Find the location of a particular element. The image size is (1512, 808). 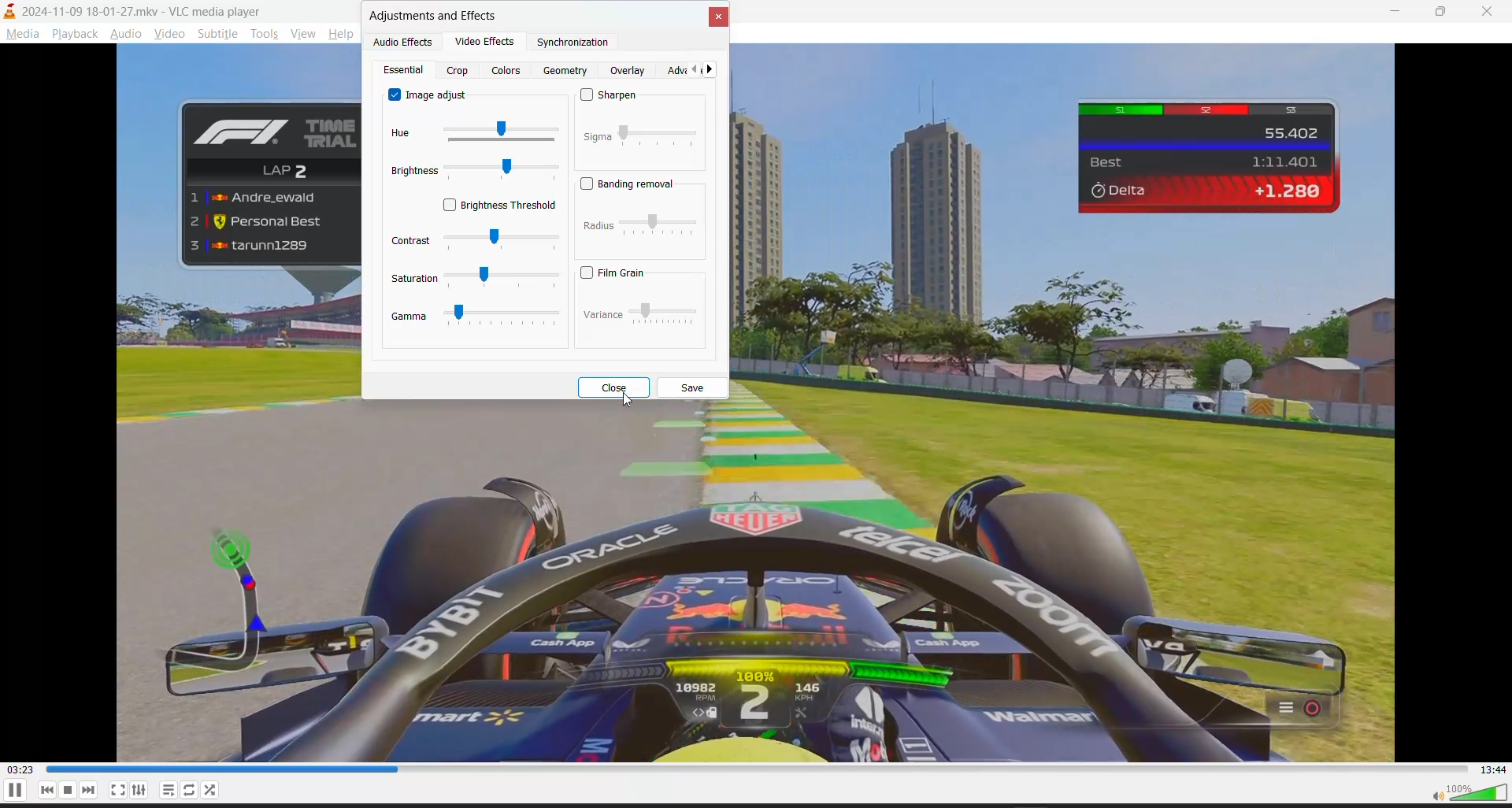

variance slider is located at coordinates (664, 314).